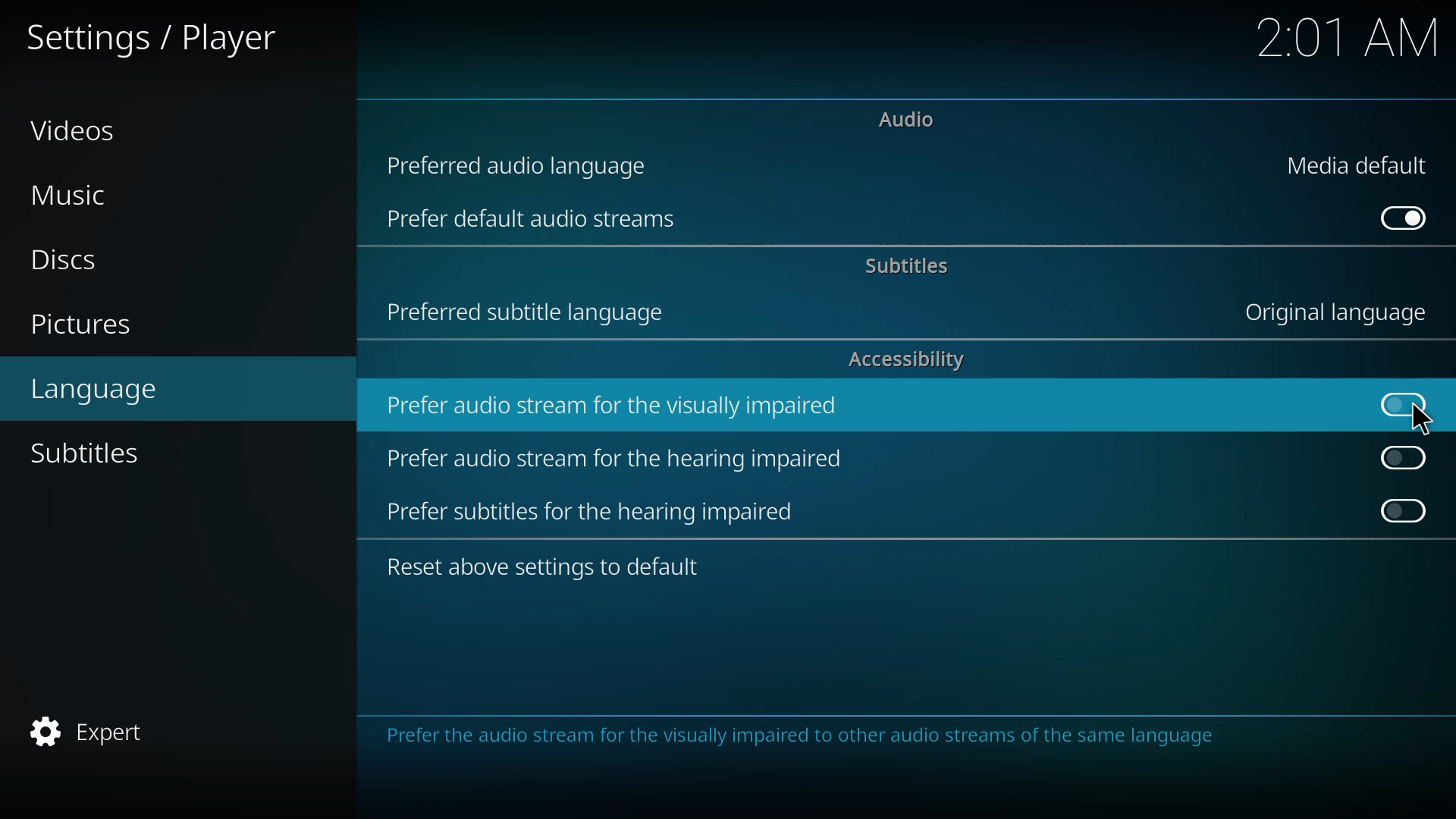 This screenshot has height=819, width=1456. Describe the element at coordinates (806, 737) in the screenshot. I see `info` at that location.